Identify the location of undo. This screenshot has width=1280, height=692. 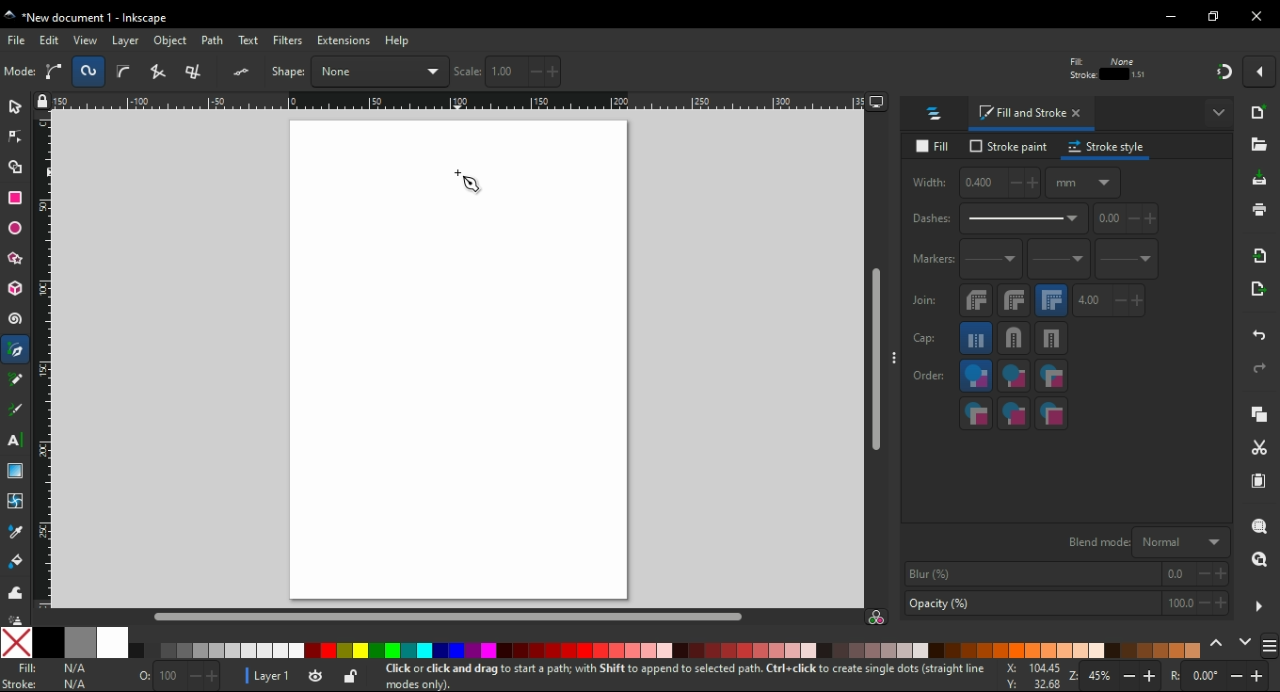
(1261, 332).